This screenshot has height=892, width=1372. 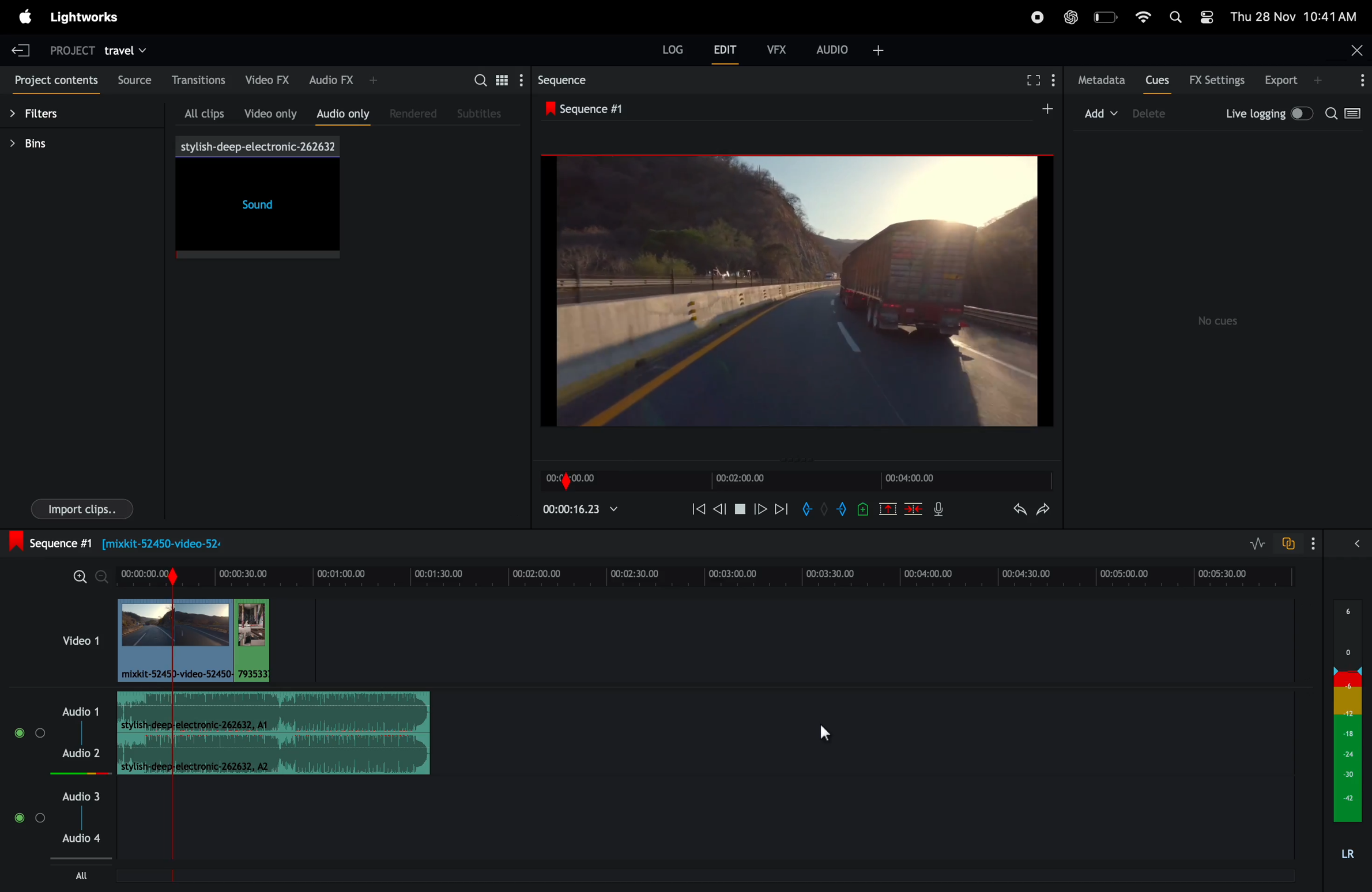 I want to click on filters, so click(x=49, y=113).